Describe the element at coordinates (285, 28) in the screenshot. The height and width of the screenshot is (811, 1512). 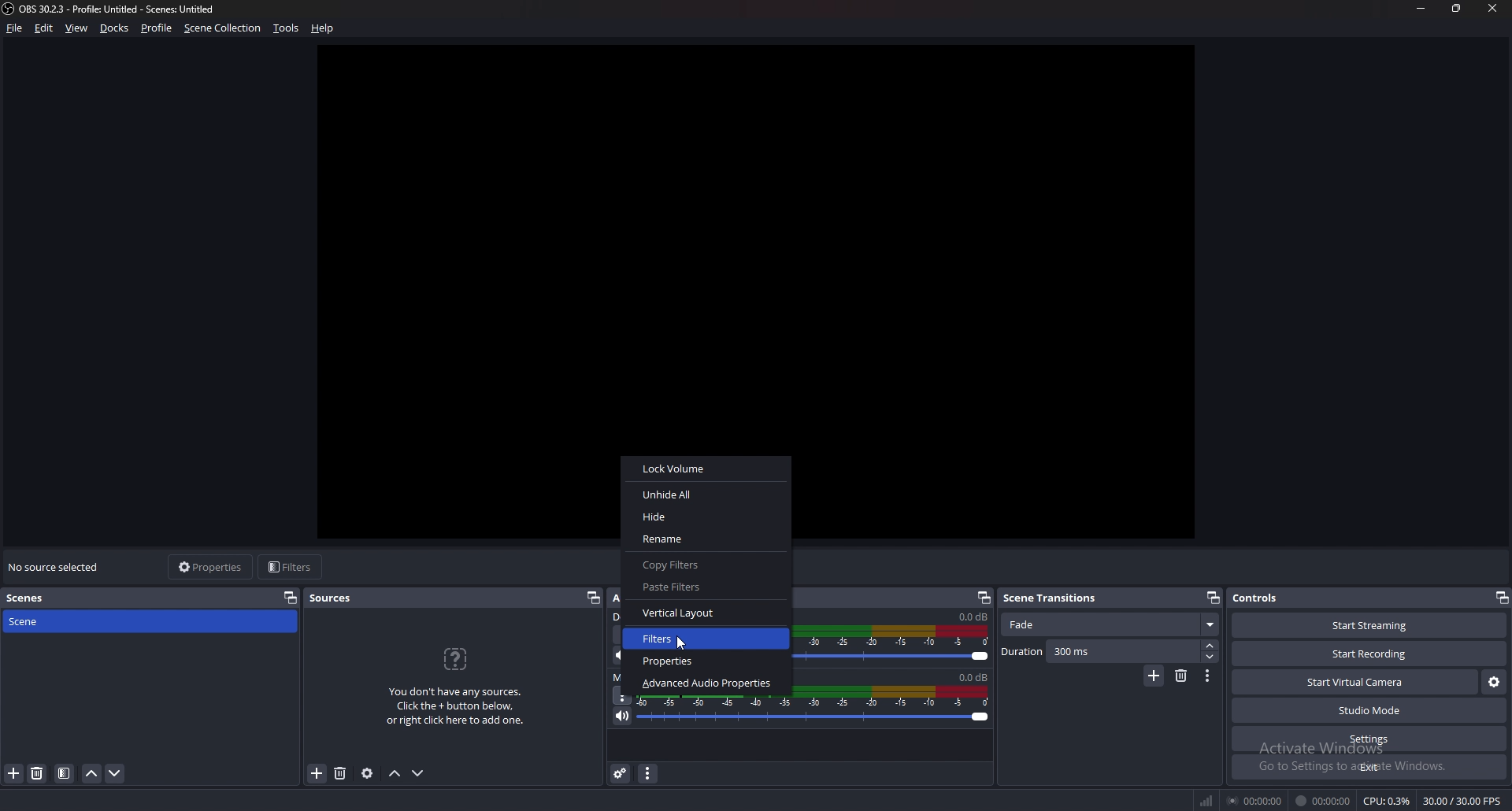
I see `tools` at that location.